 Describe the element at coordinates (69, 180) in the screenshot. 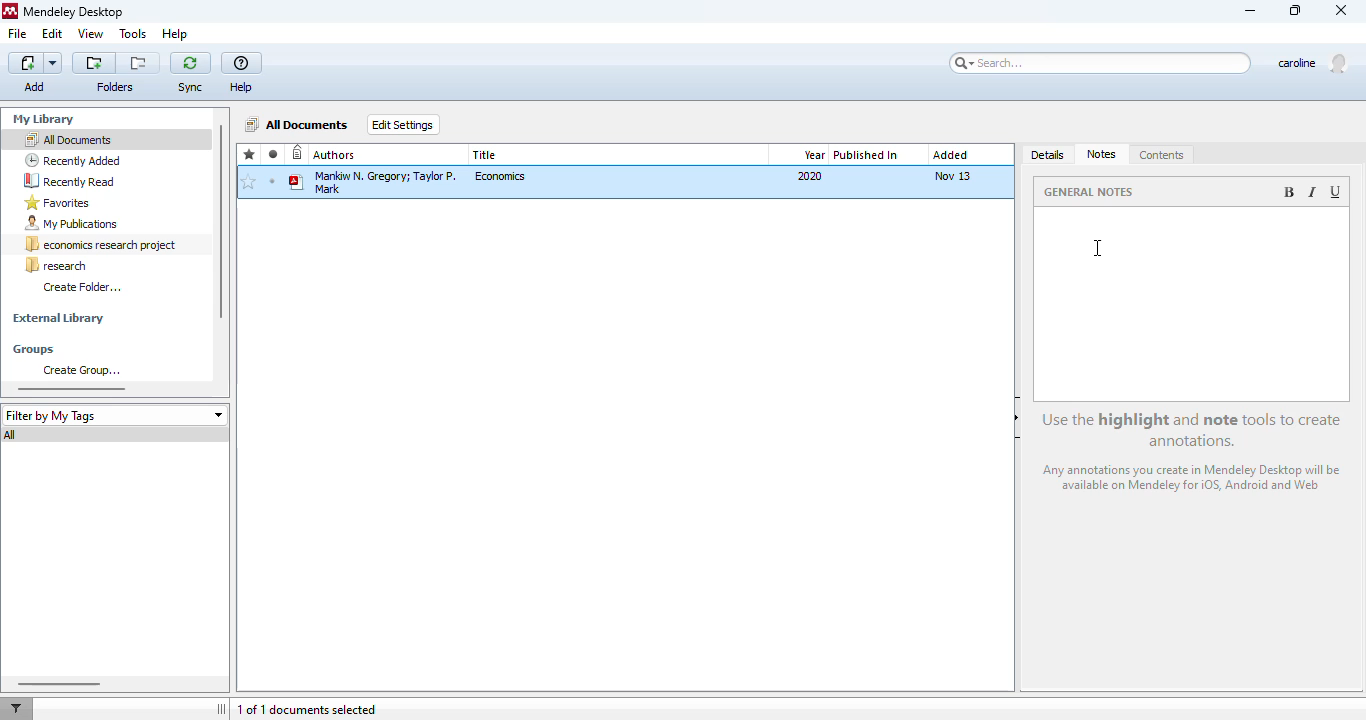

I see `recently read` at that location.